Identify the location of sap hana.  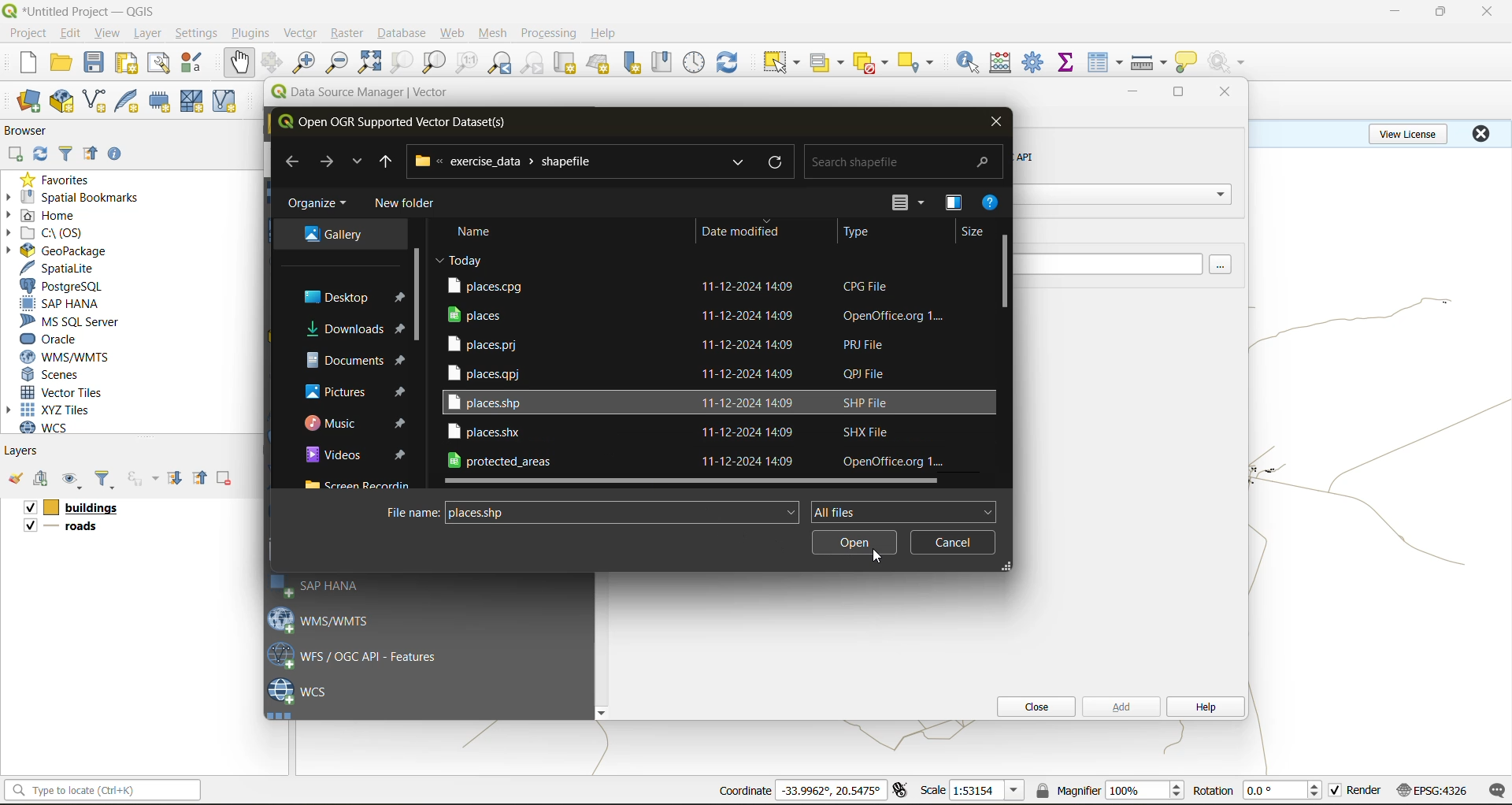
(318, 586).